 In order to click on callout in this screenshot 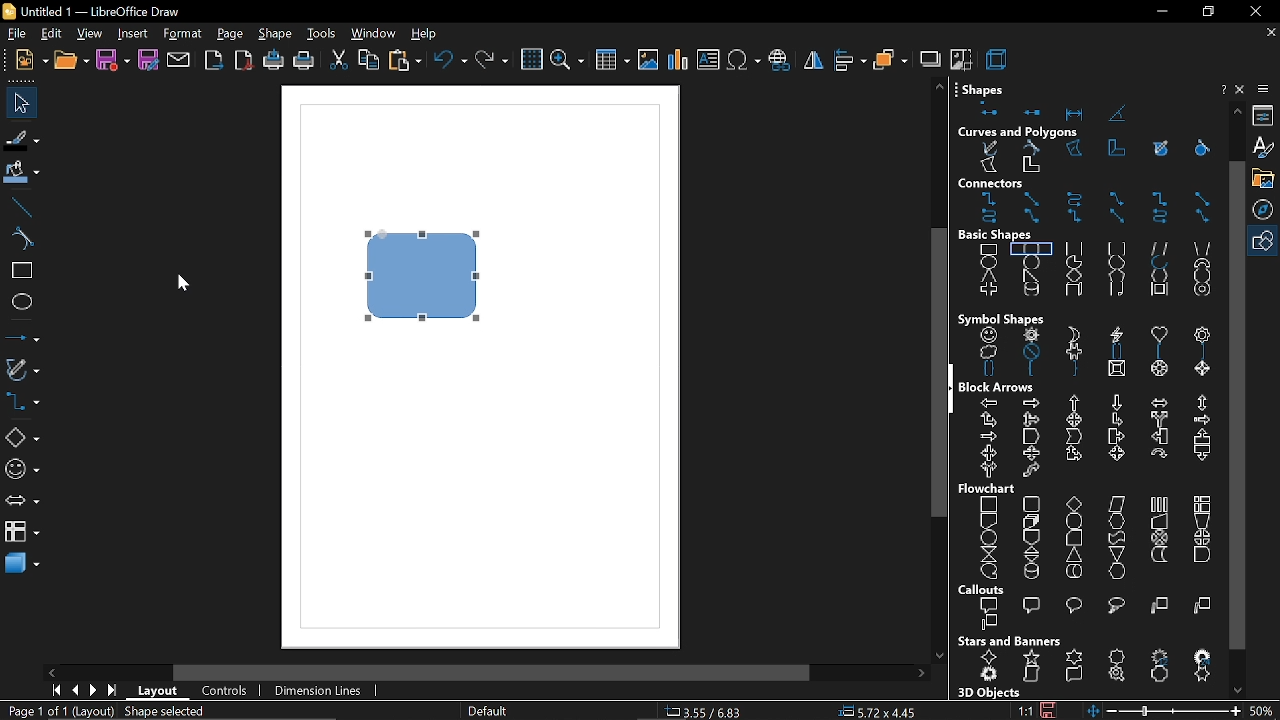, I will do `click(1088, 615)`.